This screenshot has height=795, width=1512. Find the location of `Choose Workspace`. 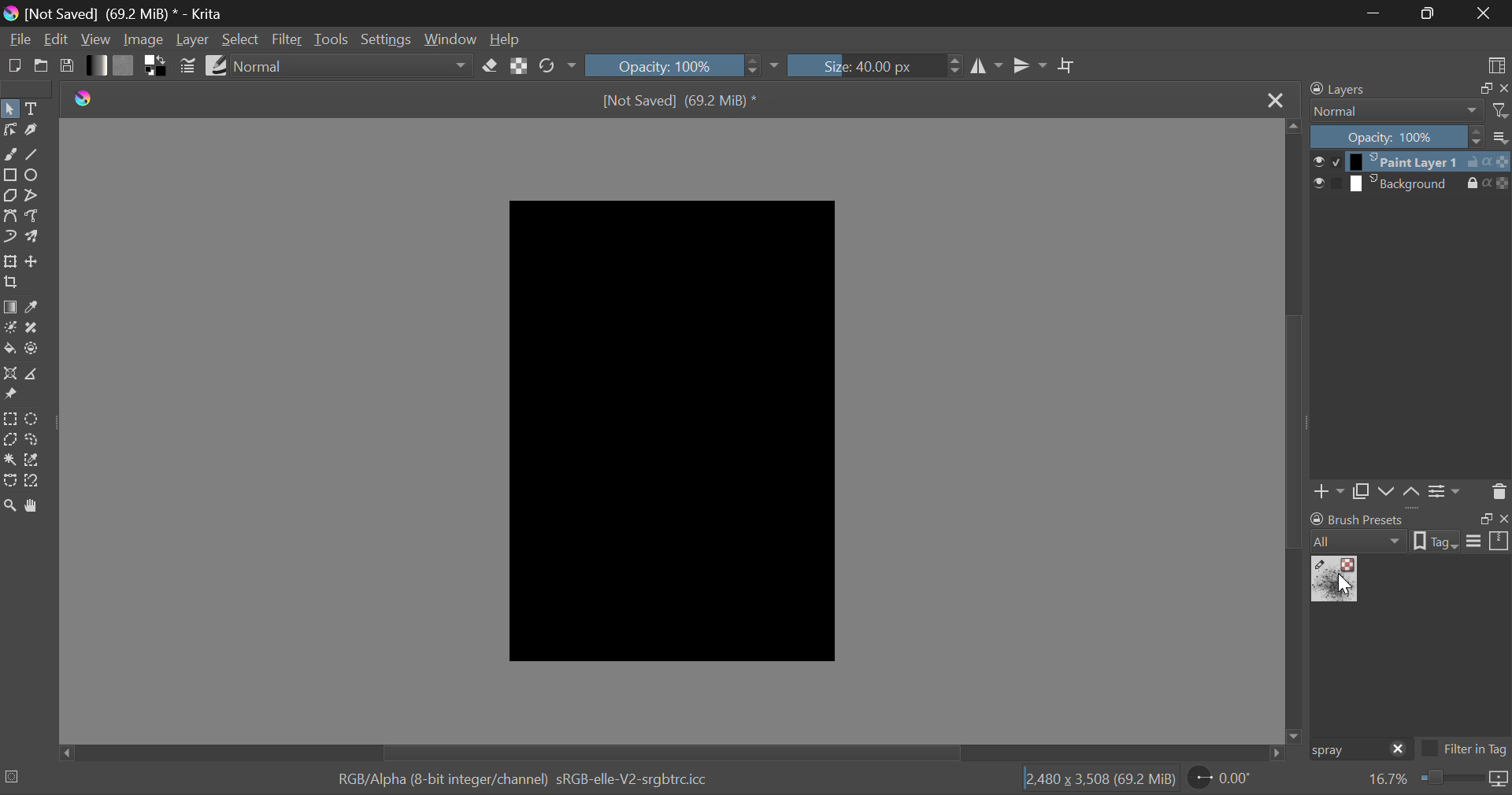

Choose Workspace is located at coordinates (1496, 65).